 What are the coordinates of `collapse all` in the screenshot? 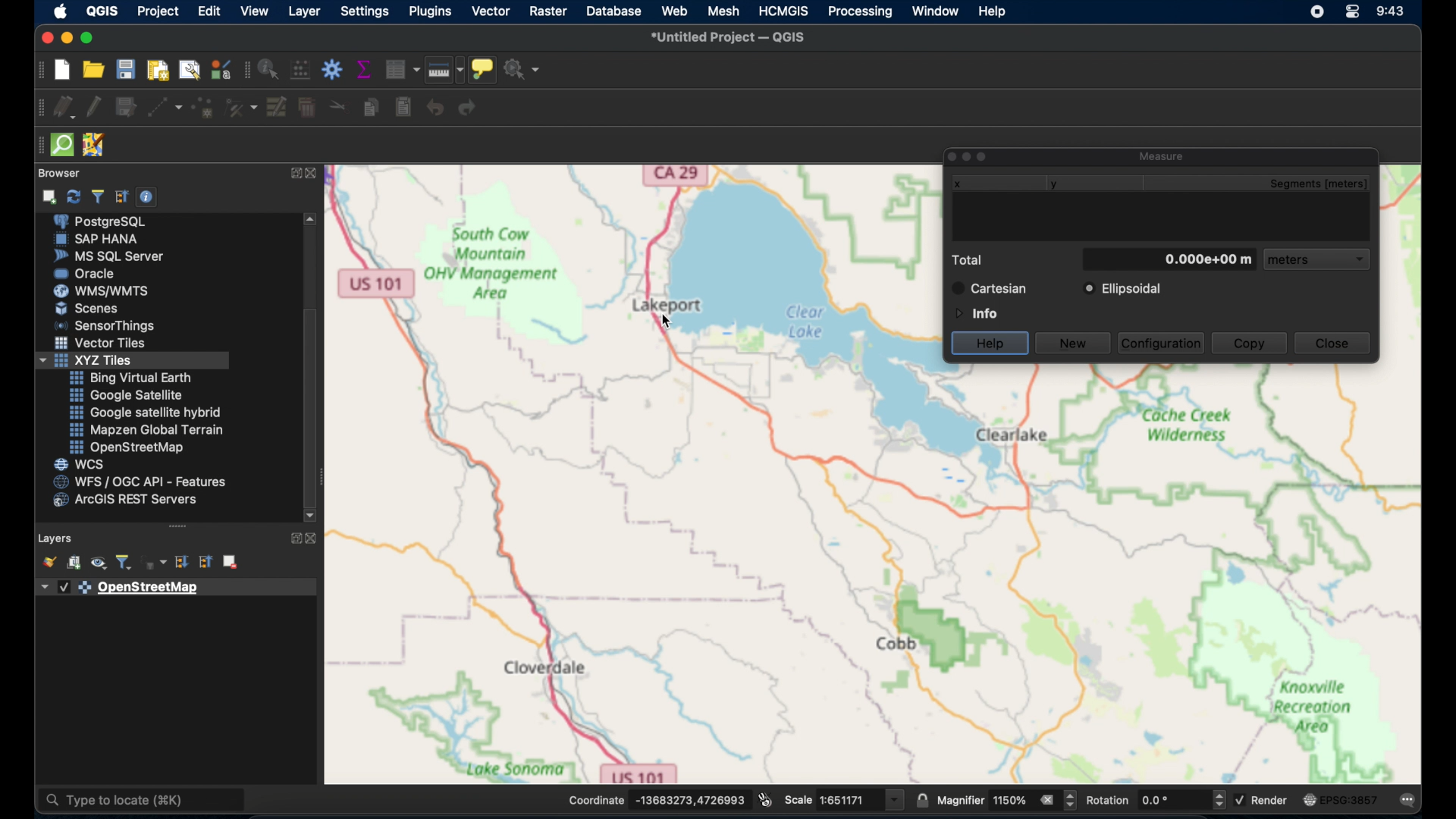 It's located at (121, 195).